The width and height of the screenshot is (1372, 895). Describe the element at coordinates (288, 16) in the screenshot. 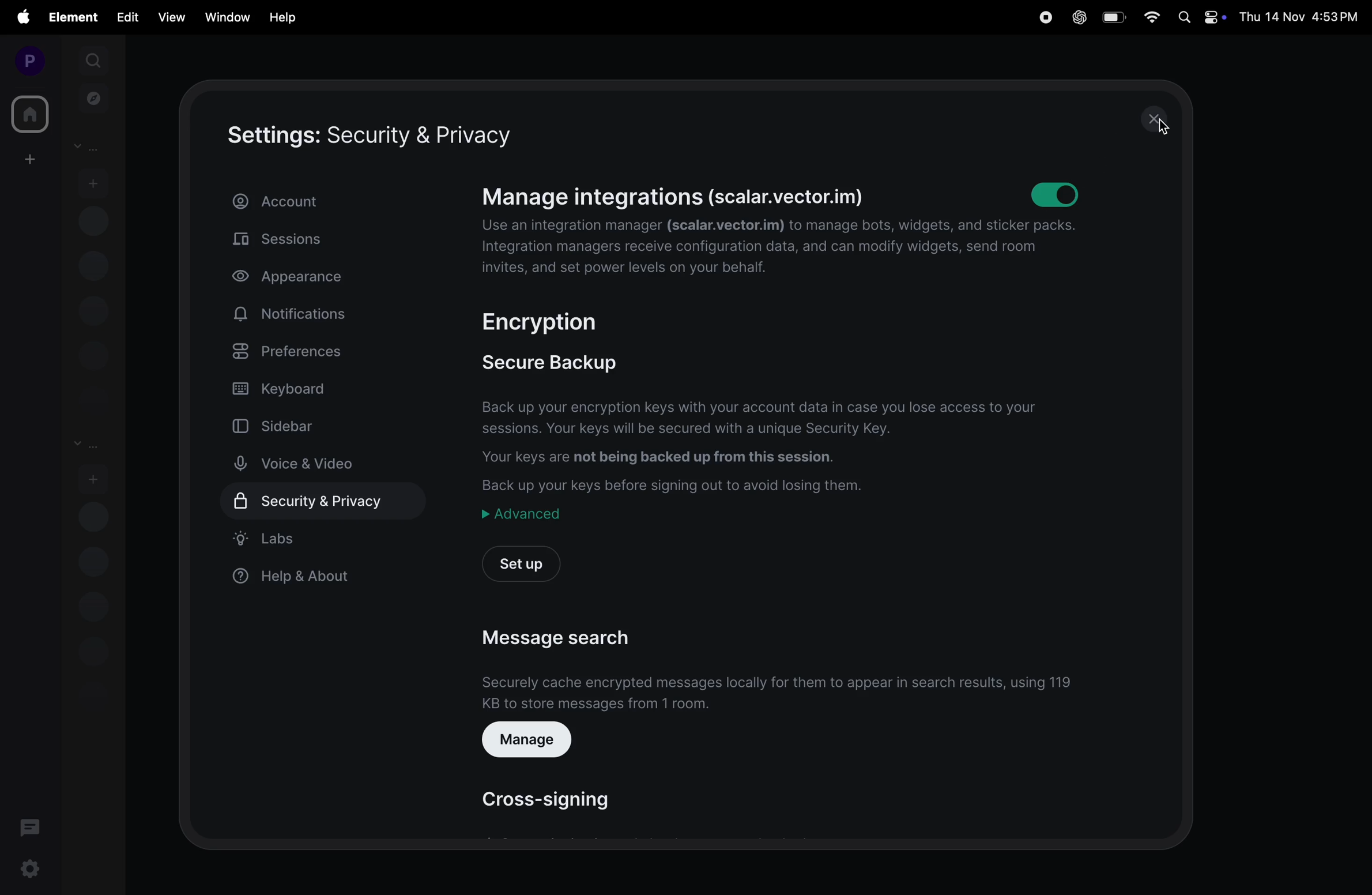

I see `help` at that location.